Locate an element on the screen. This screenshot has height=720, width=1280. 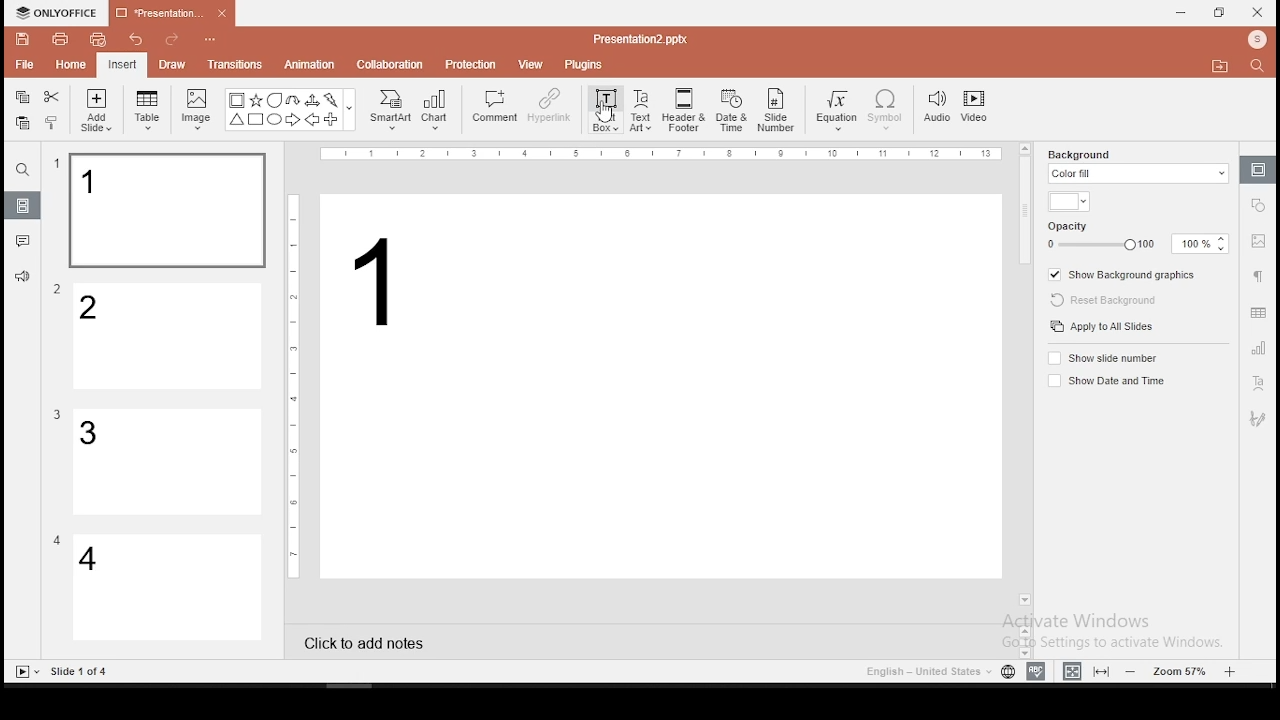
Bubble is located at coordinates (274, 100).